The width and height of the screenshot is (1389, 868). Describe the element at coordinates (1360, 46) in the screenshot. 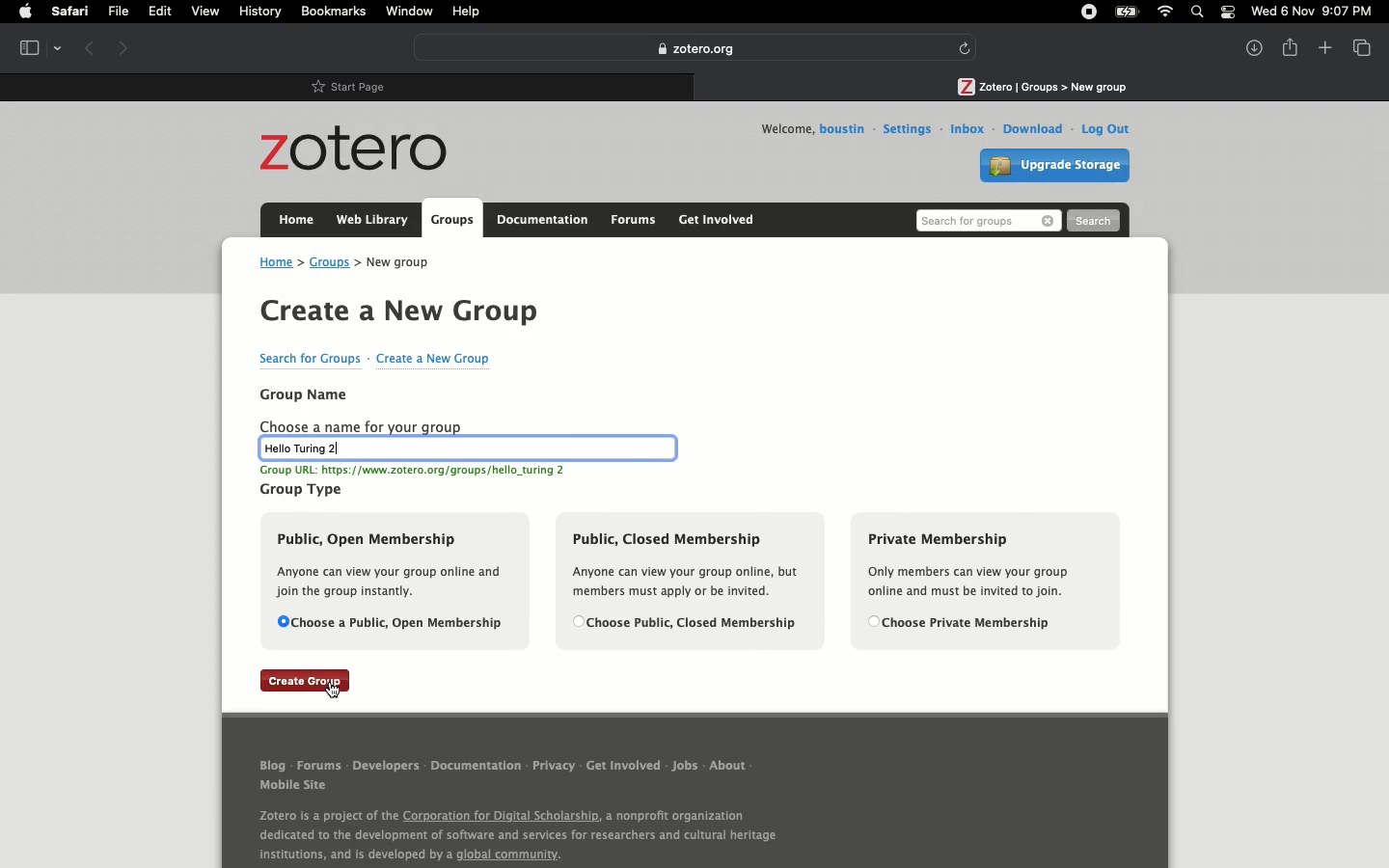

I see `View` at that location.